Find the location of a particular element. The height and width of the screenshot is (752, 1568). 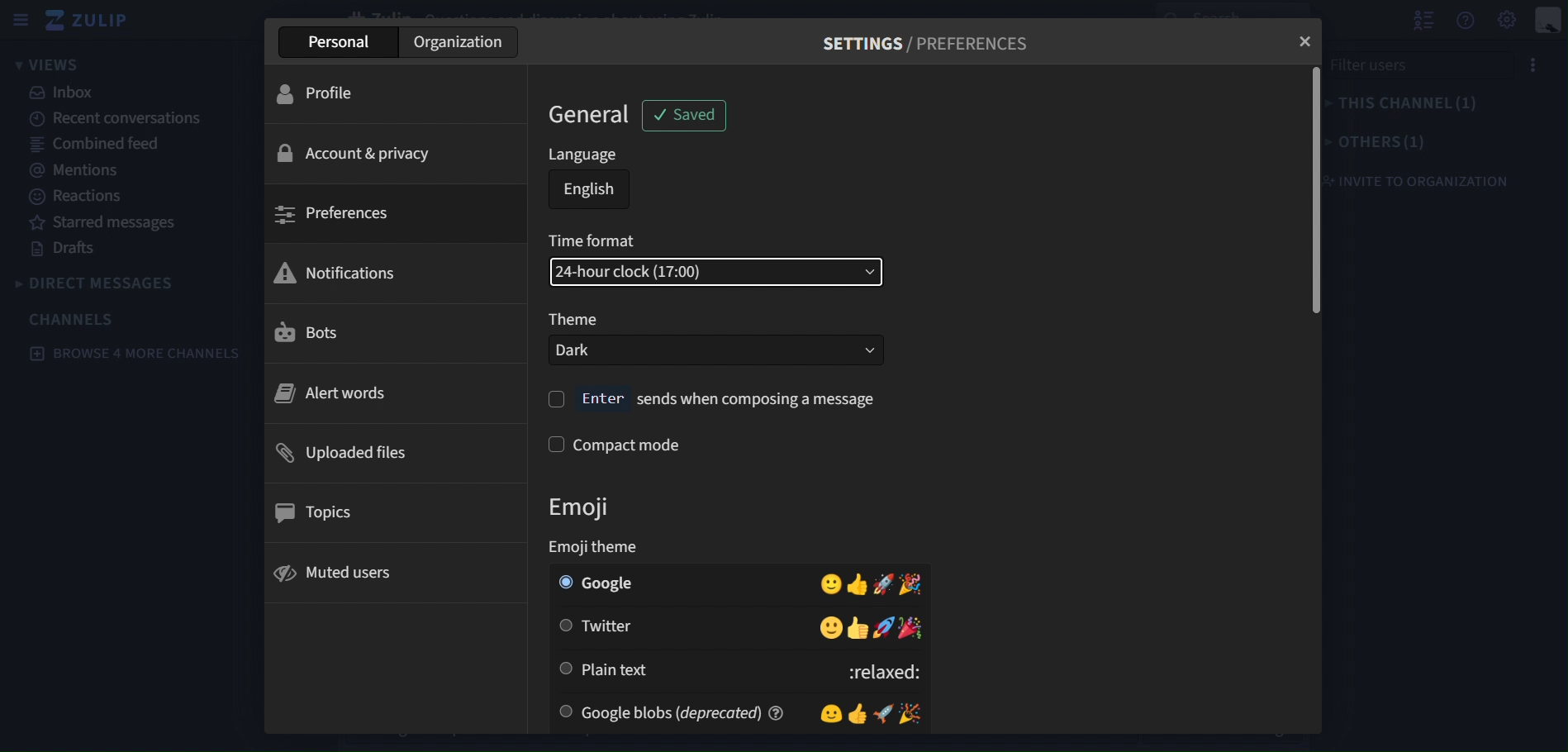

SETTINGS / PREFERENCES is located at coordinates (929, 44).